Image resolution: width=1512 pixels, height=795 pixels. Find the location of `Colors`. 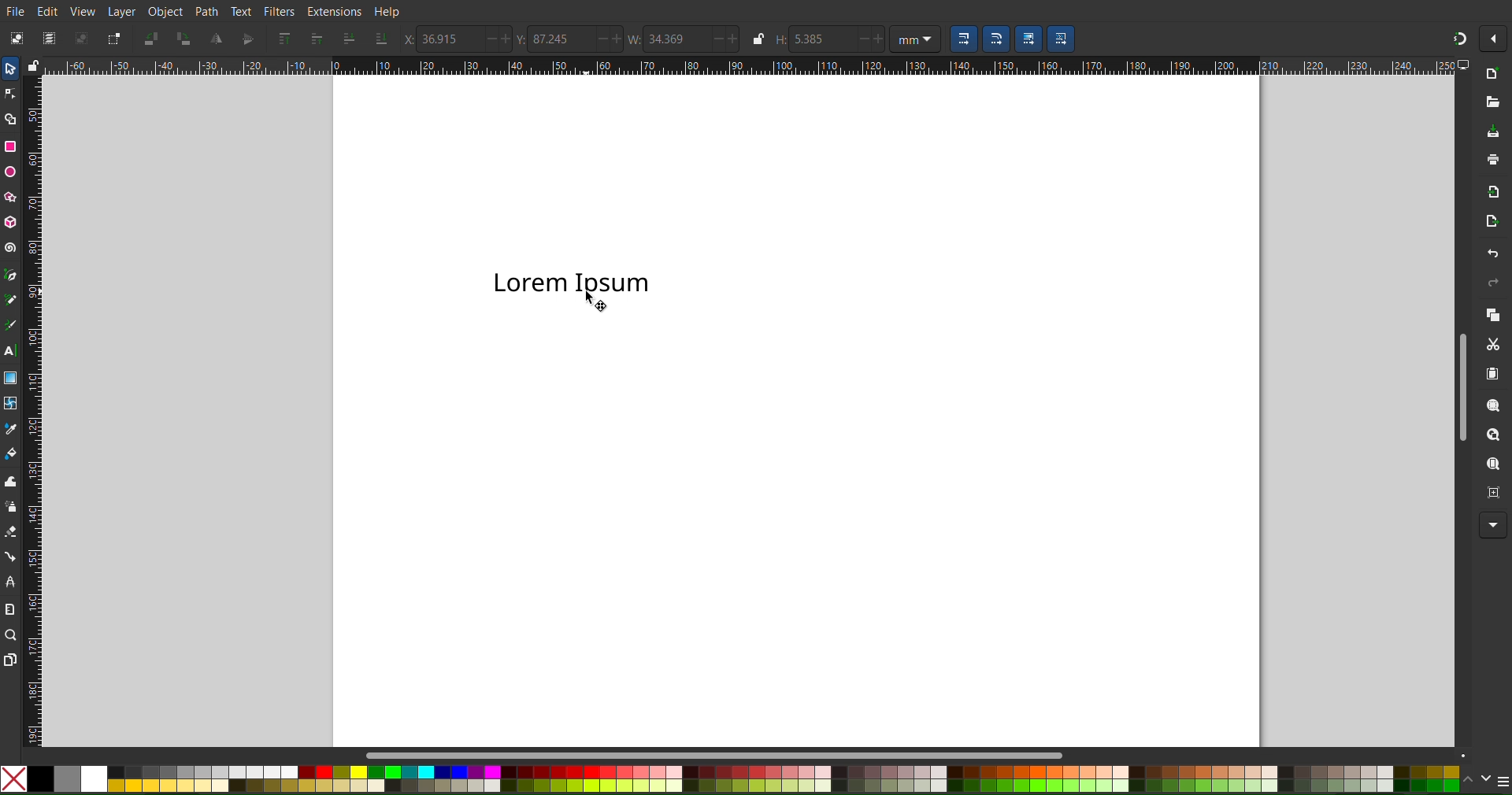

Colors is located at coordinates (732, 778).